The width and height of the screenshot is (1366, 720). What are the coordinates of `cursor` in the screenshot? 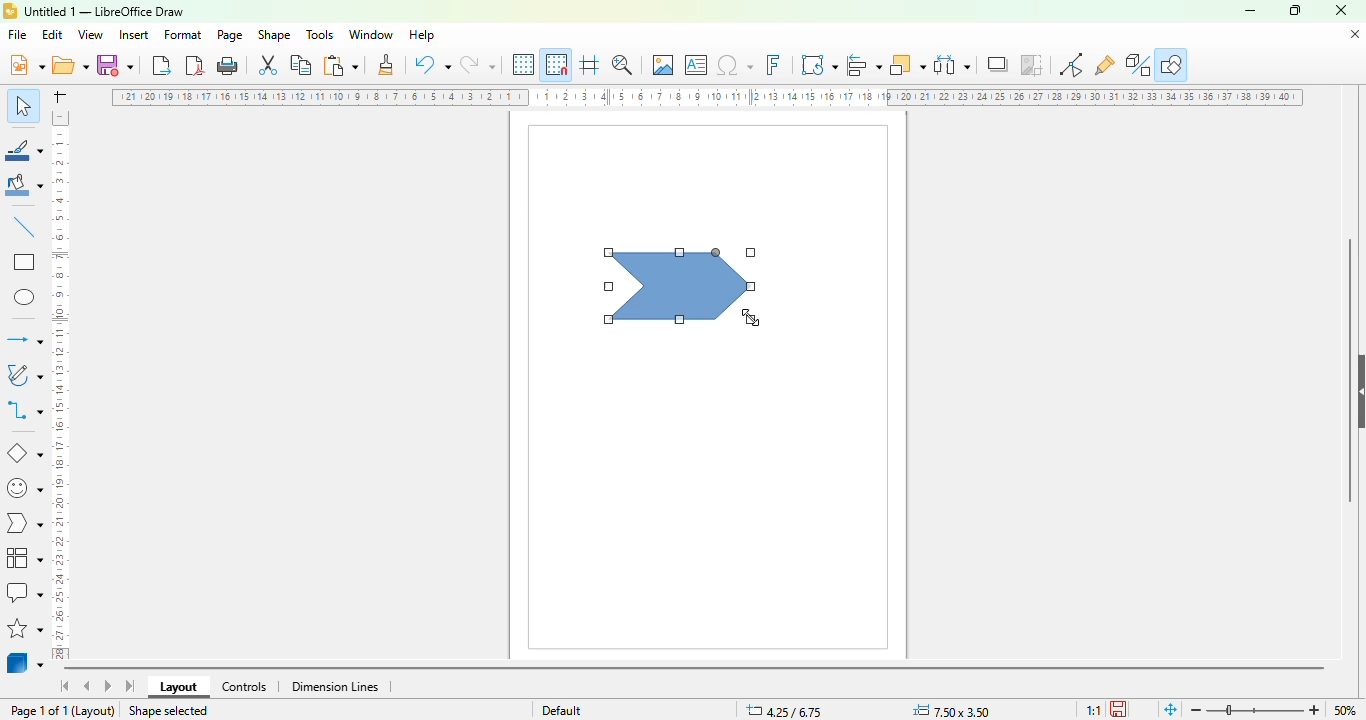 It's located at (751, 317).